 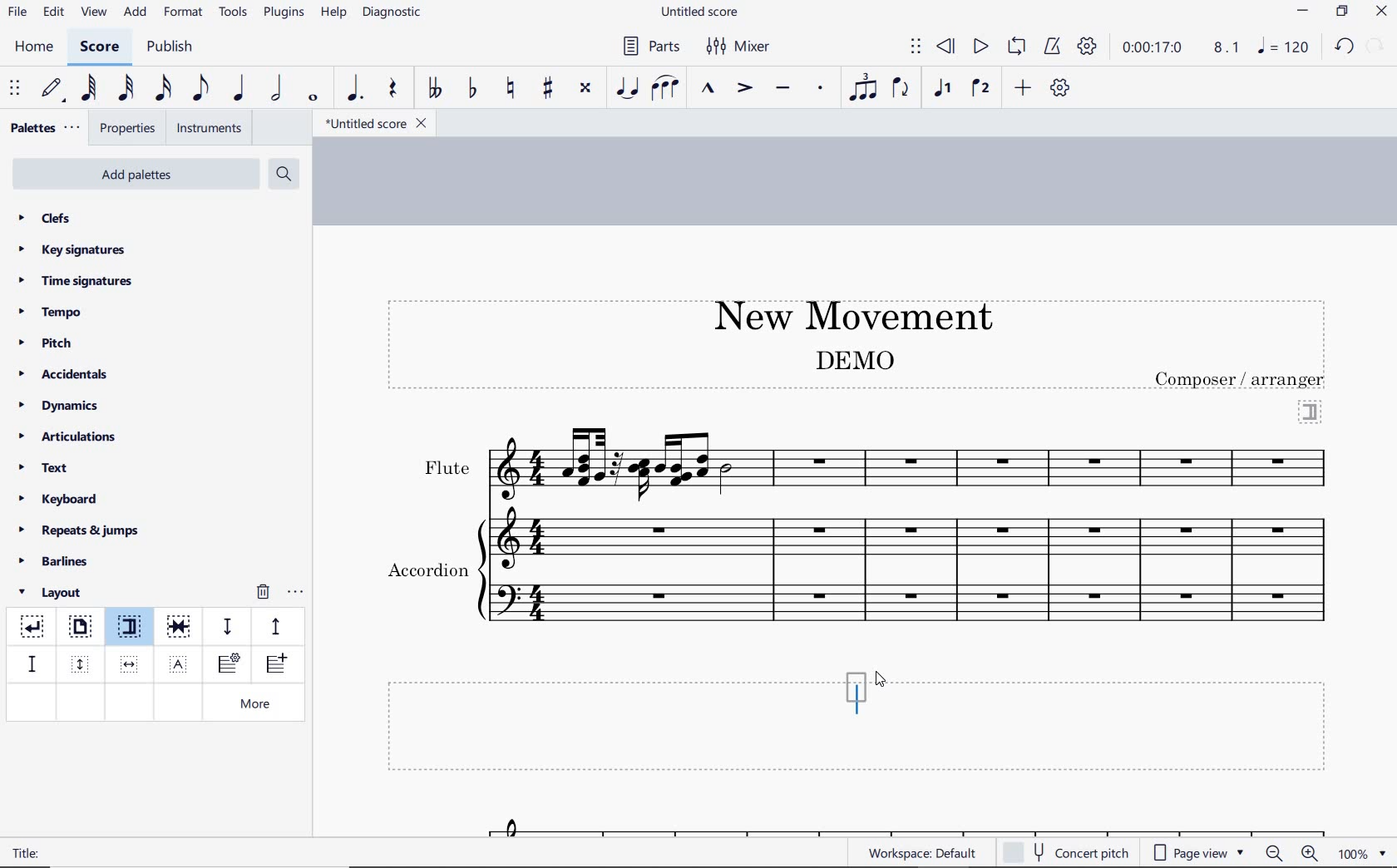 I want to click on whole note, so click(x=314, y=97).